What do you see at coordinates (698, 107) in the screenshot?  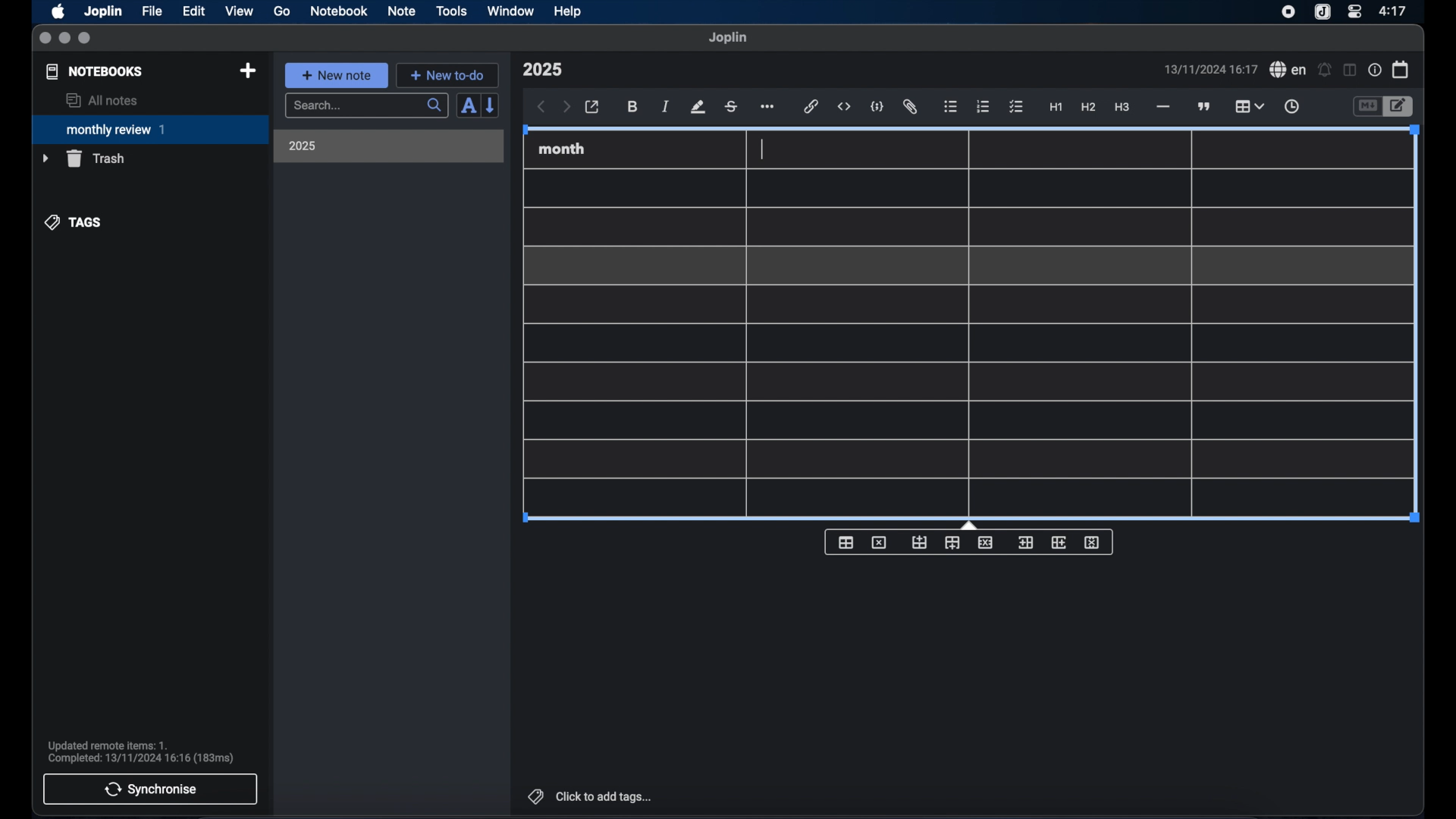 I see `highlight` at bounding box center [698, 107].